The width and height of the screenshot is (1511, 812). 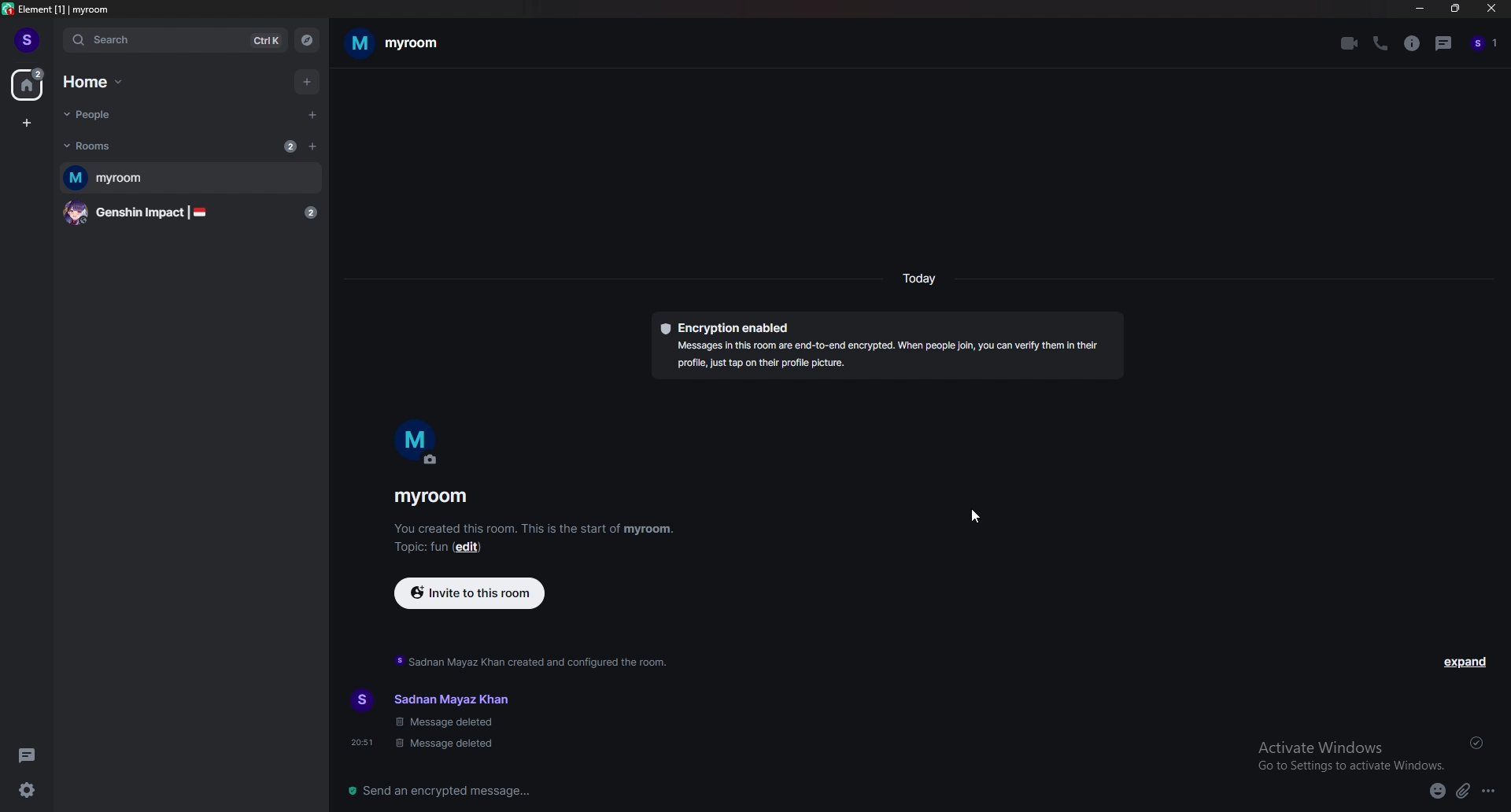 I want to click on profile, so click(x=27, y=39).